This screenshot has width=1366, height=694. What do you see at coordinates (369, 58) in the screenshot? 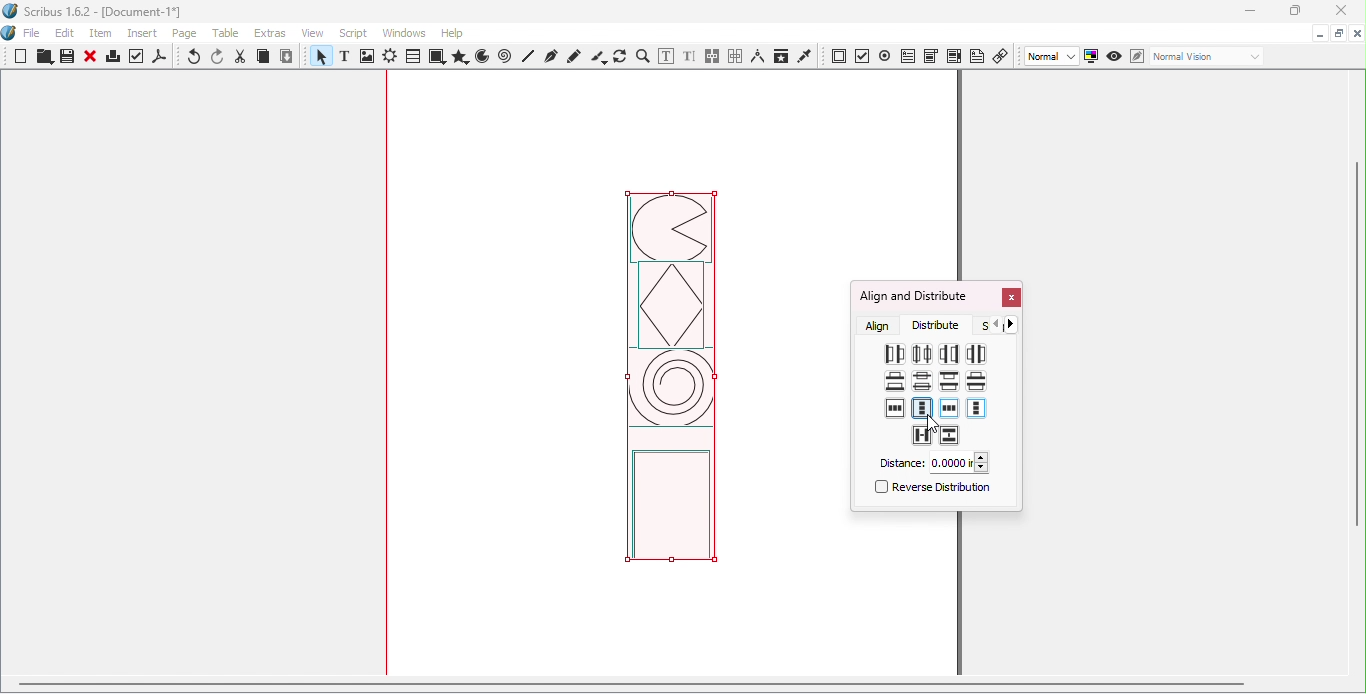
I see `Image frame` at bounding box center [369, 58].